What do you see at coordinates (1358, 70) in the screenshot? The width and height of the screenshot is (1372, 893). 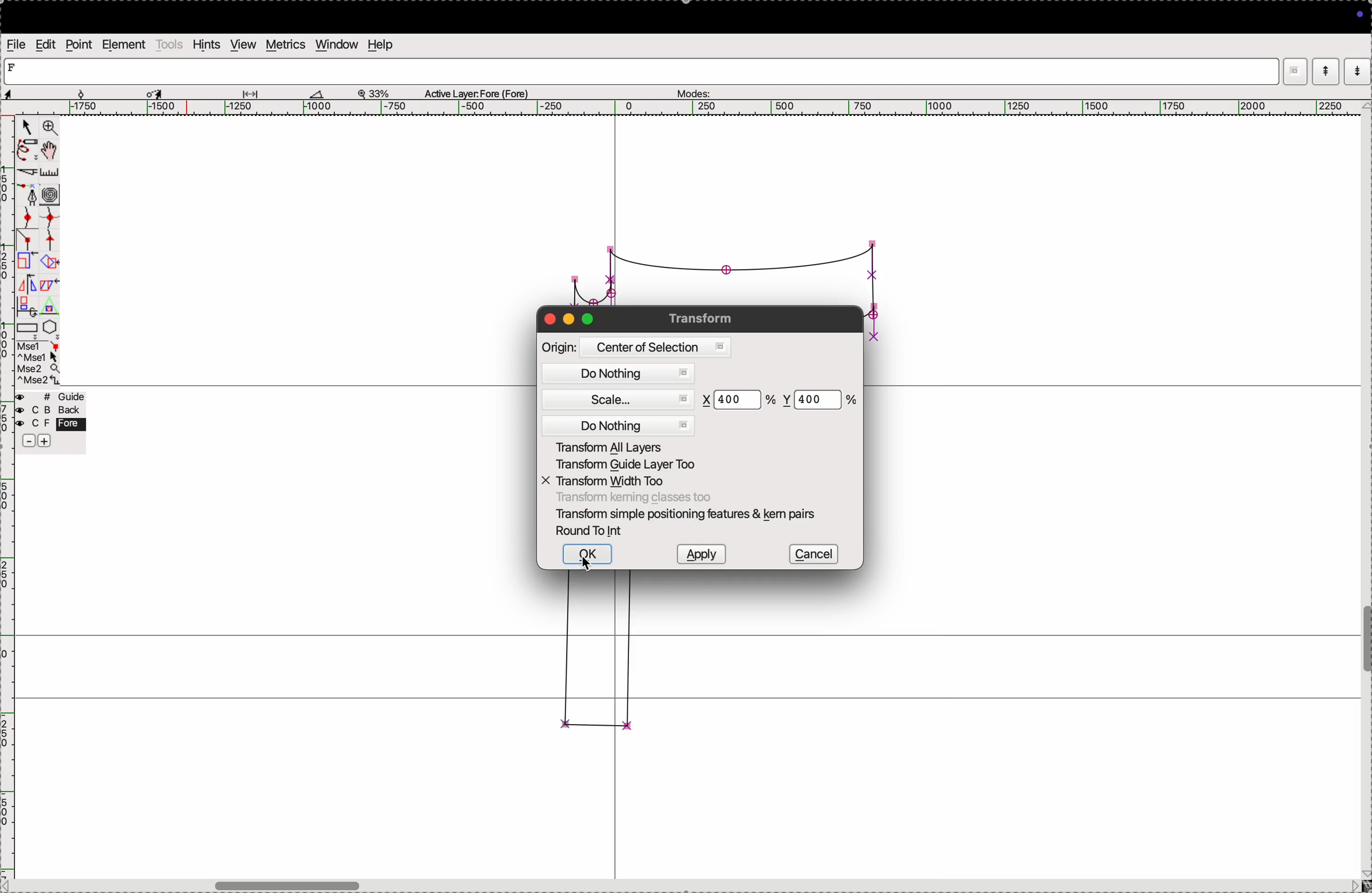 I see `mode down` at bounding box center [1358, 70].